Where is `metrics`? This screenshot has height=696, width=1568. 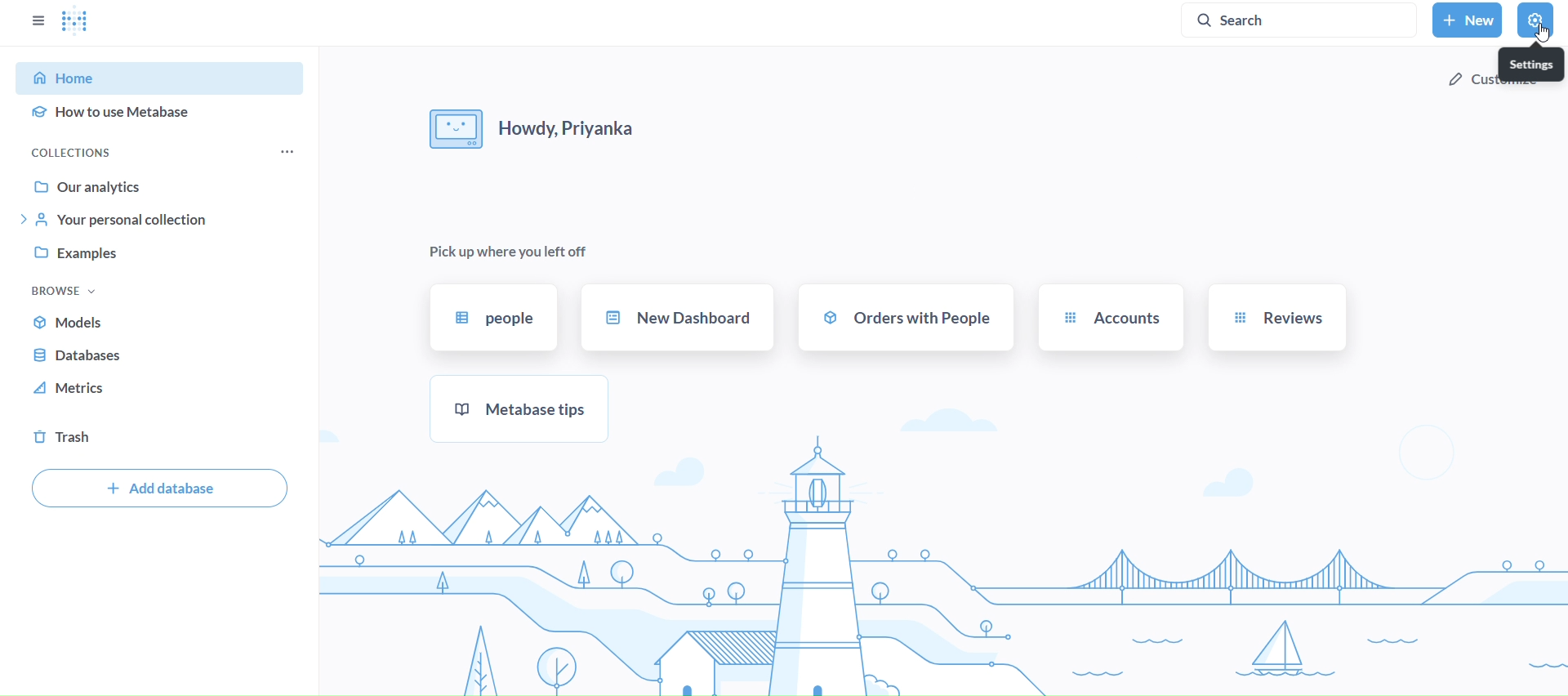 metrics is located at coordinates (160, 390).